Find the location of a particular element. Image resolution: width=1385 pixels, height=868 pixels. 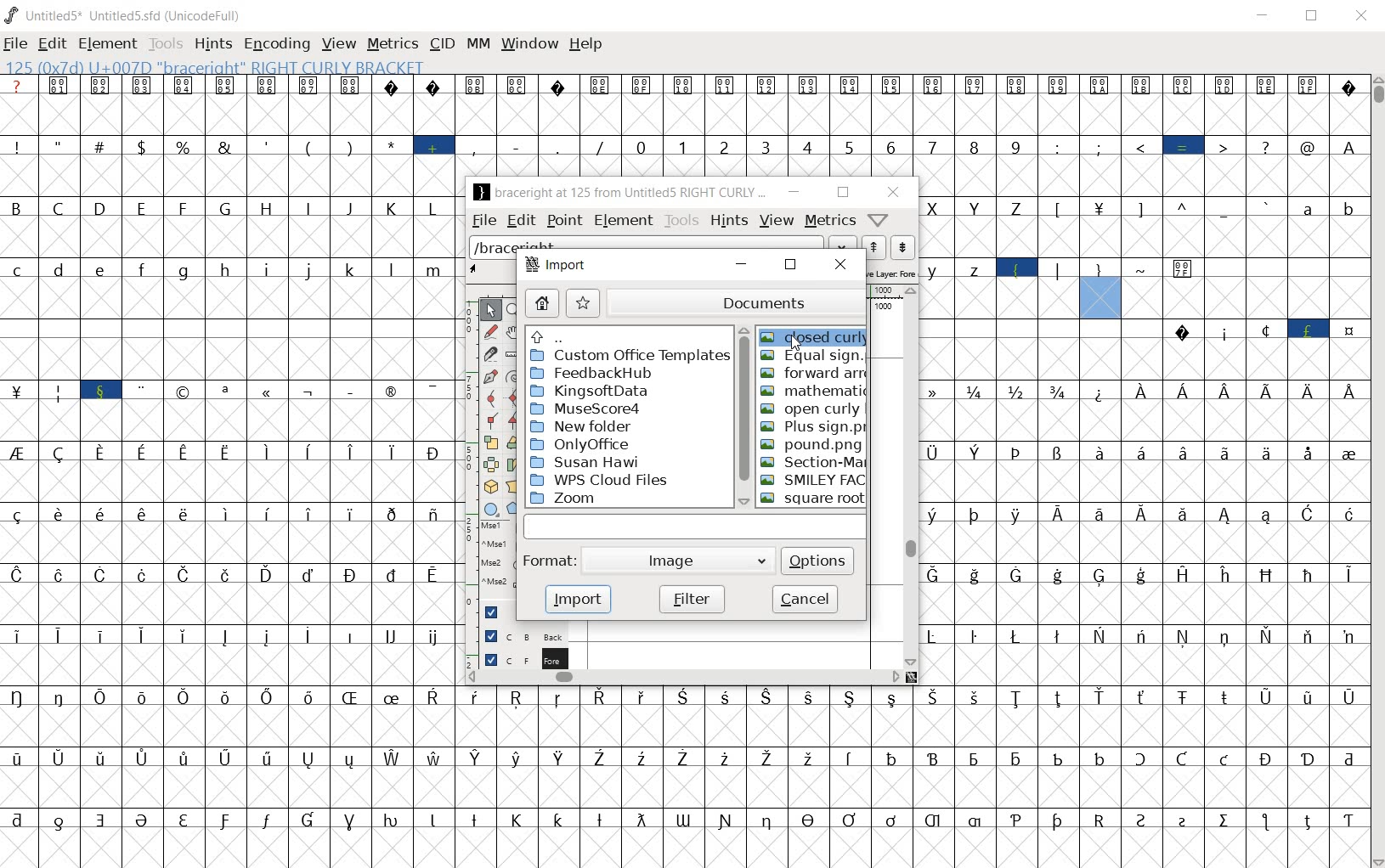

smiley face is located at coordinates (814, 480).